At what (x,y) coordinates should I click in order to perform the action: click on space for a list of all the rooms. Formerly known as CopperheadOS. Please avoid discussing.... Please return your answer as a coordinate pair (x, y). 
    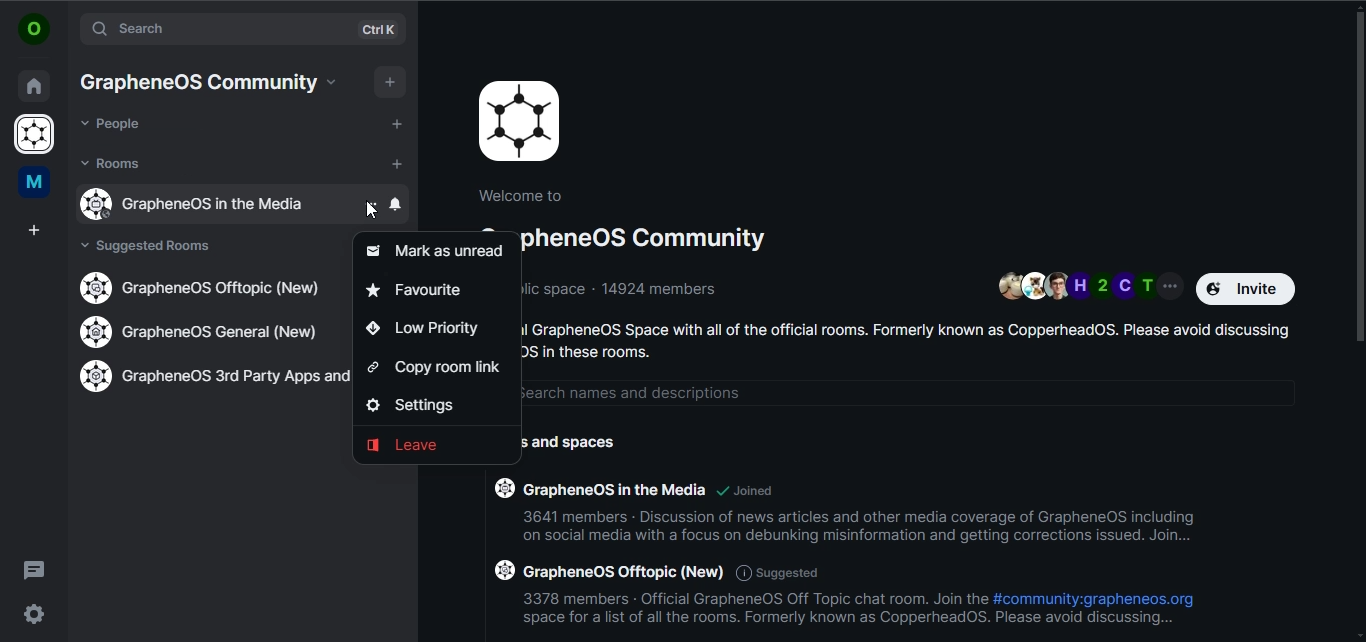
    Looking at the image, I should click on (849, 621).